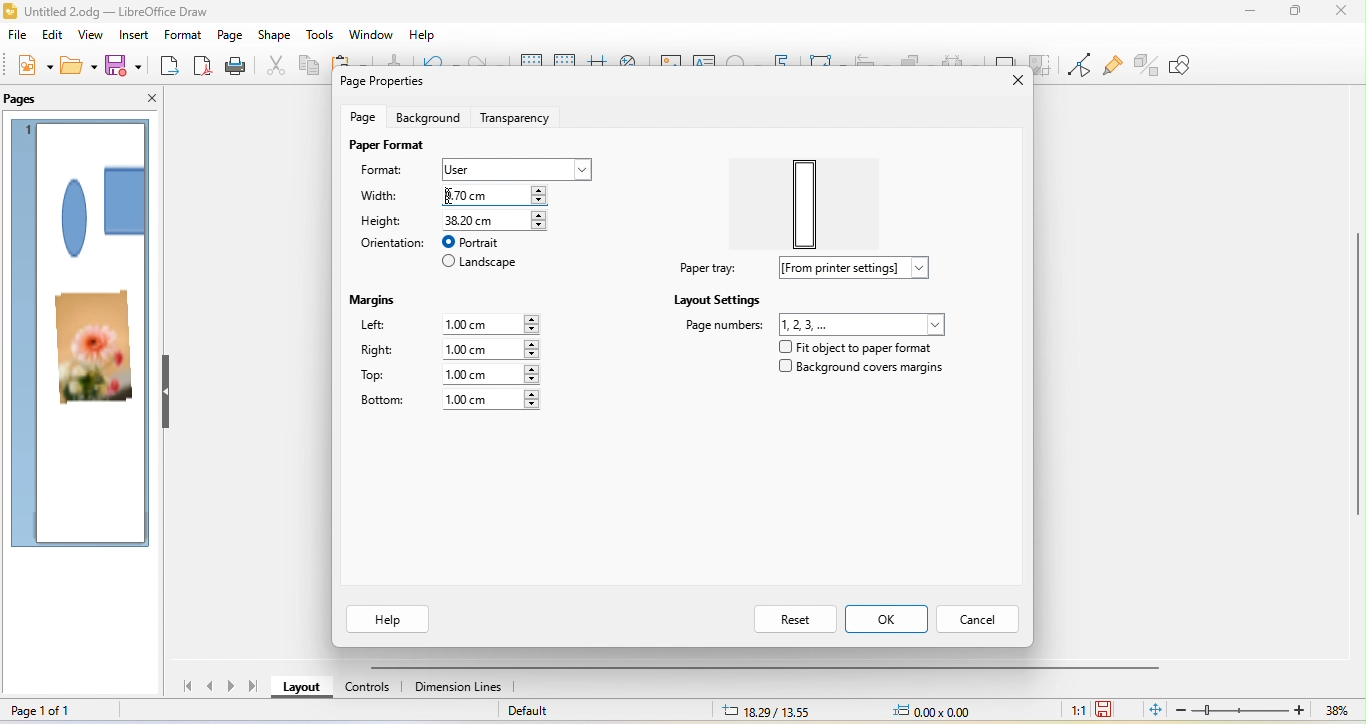 This screenshot has height=724, width=1366. Describe the element at coordinates (759, 712) in the screenshot. I see `18.29/13.55` at that location.